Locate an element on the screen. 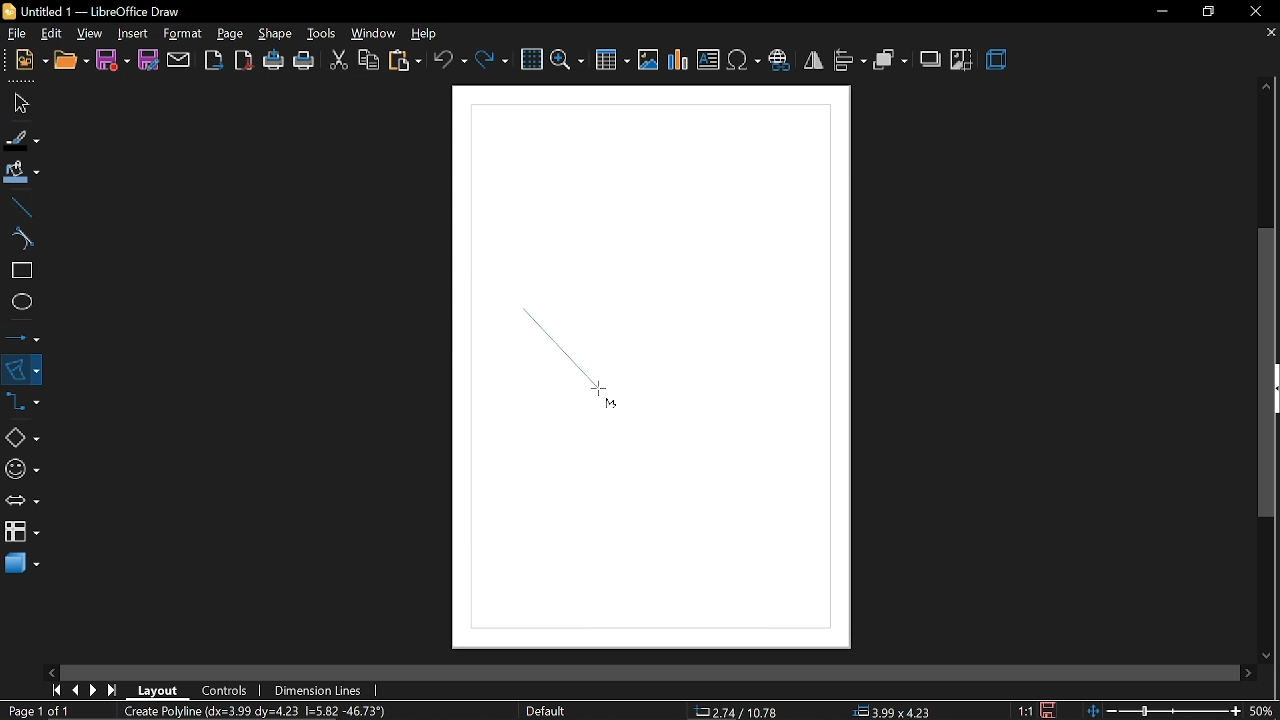  current zoom is located at coordinates (1262, 711).